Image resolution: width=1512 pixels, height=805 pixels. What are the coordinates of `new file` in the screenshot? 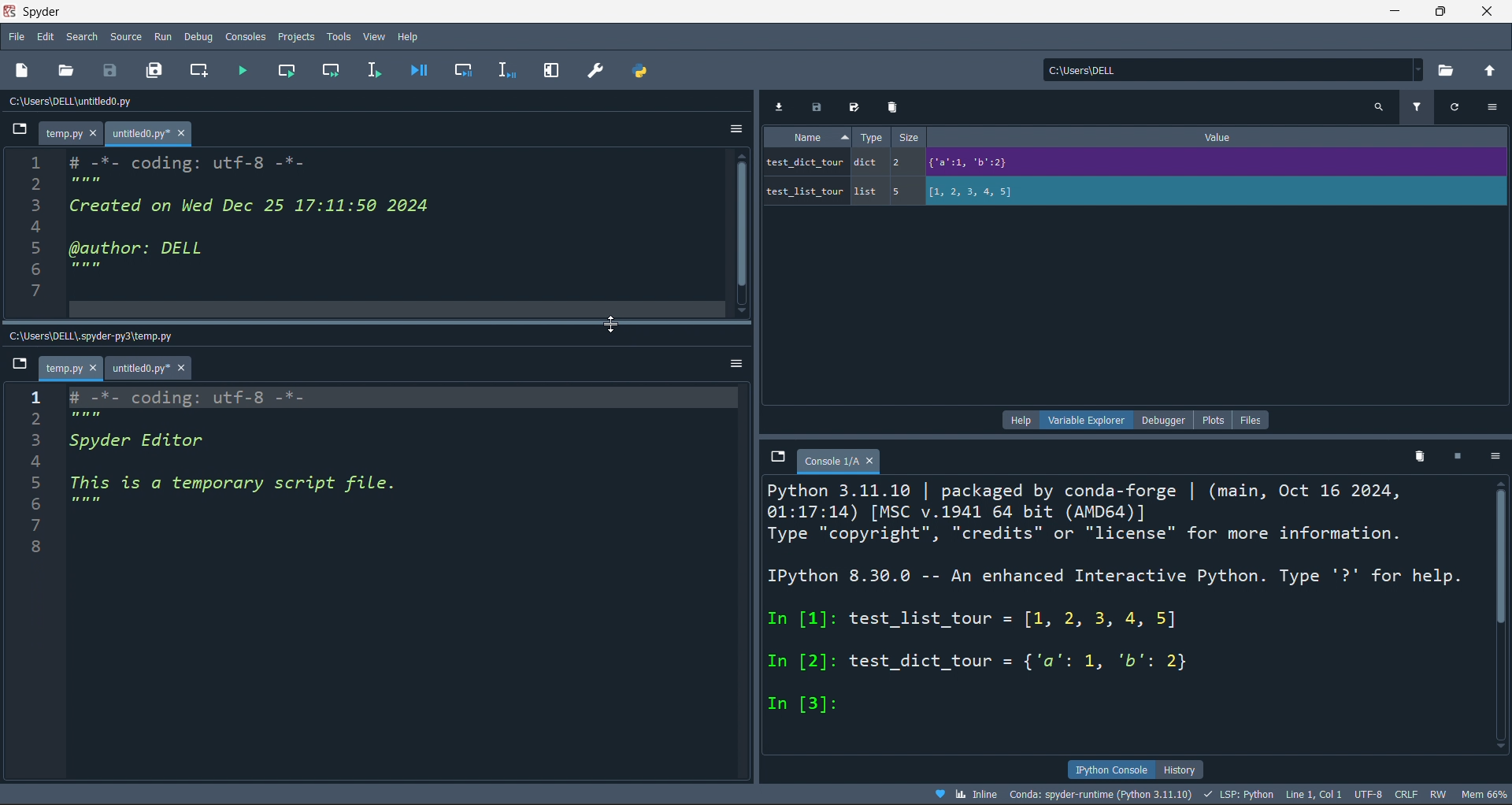 It's located at (31, 69).